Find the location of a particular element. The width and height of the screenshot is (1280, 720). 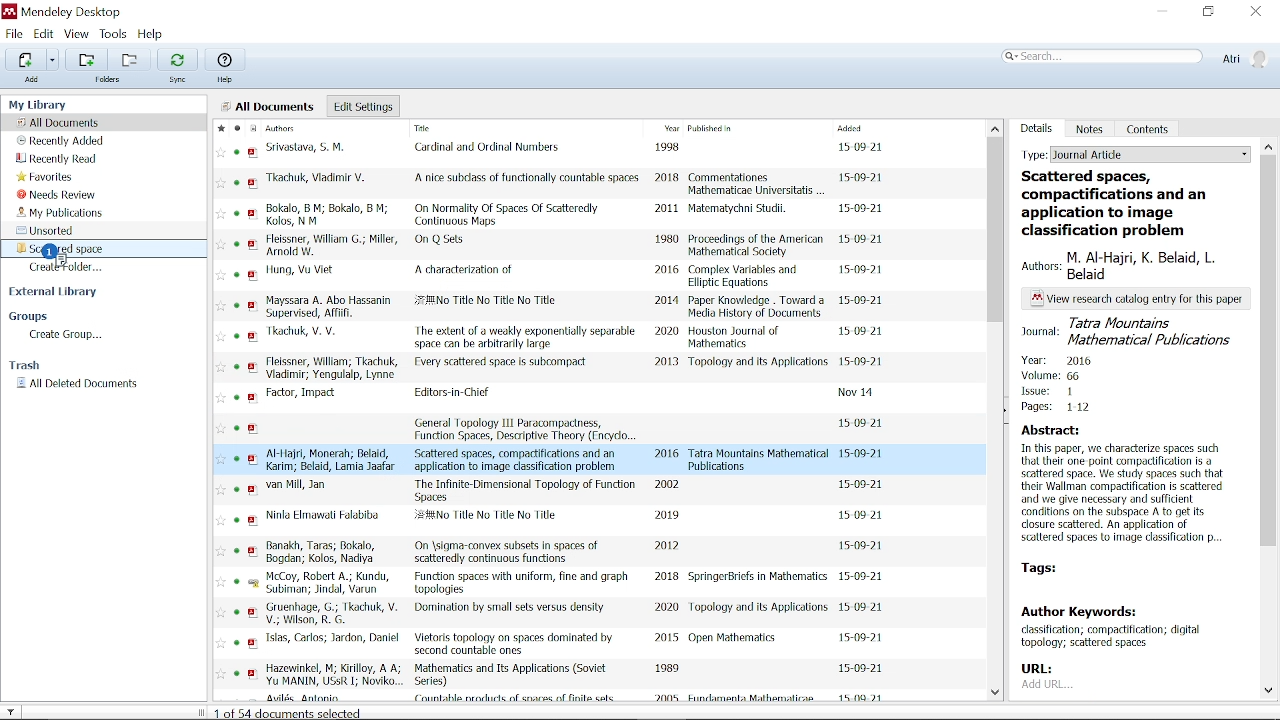

title is located at coordinates (527, 428).